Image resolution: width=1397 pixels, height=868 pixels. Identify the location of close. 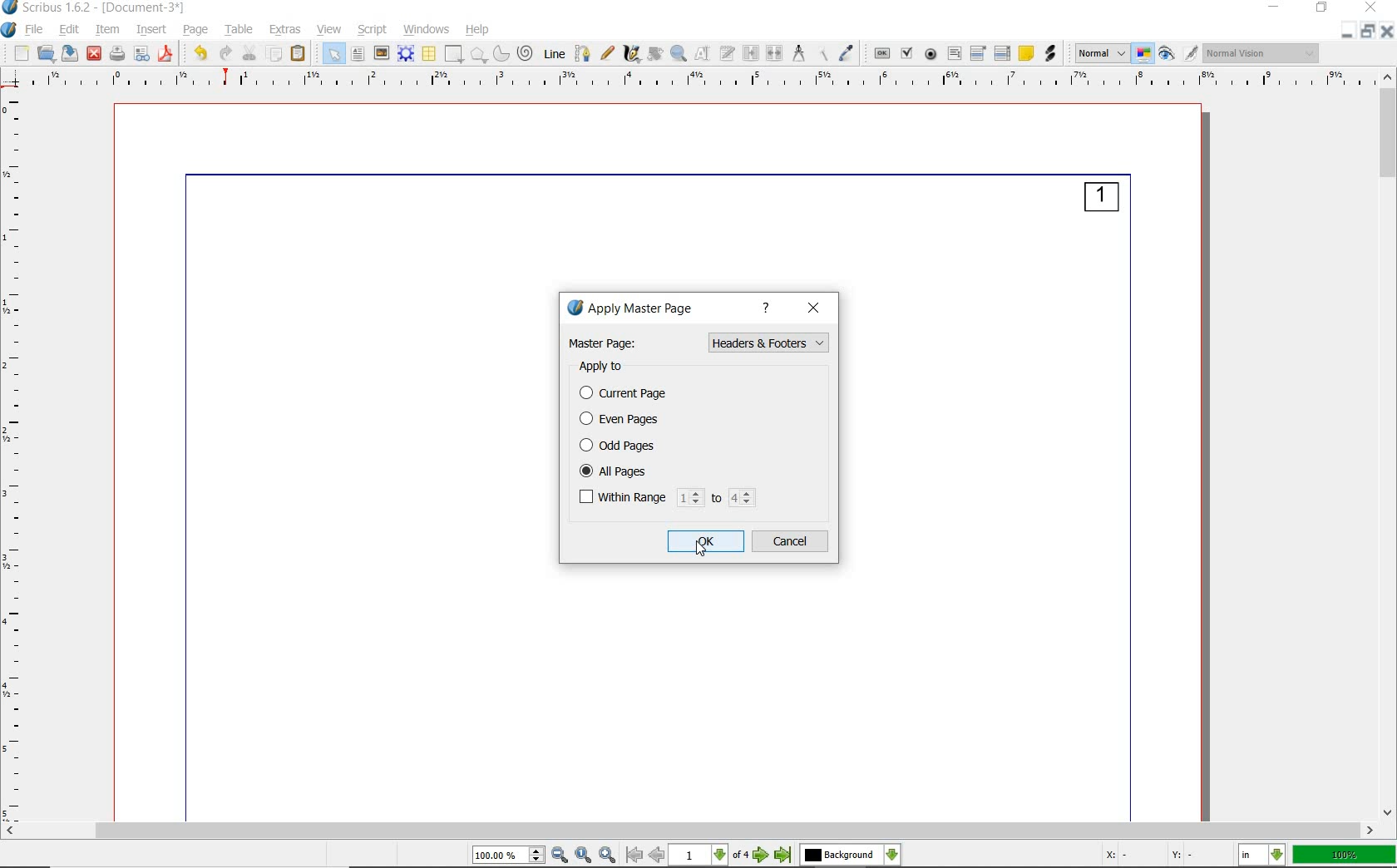
(1389, 31).